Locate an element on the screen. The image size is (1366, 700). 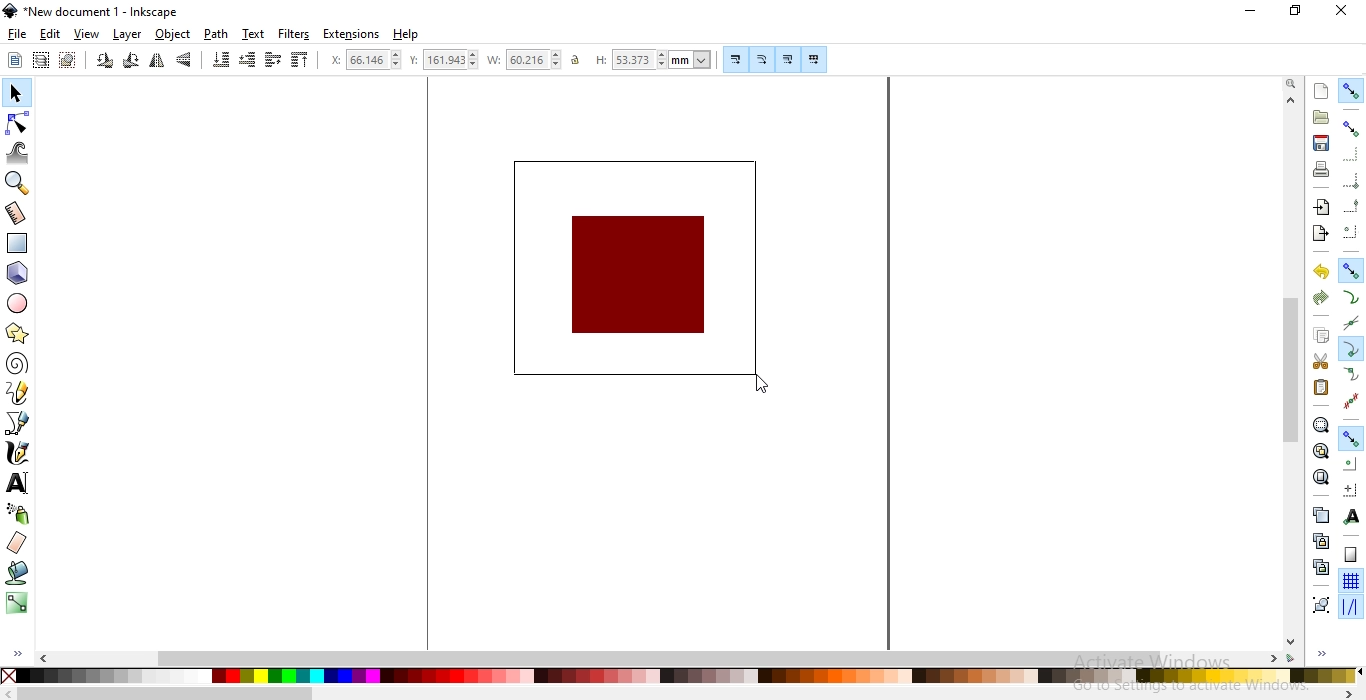
draw calligraphic or brush strokes is located at coordinates (16, 453).